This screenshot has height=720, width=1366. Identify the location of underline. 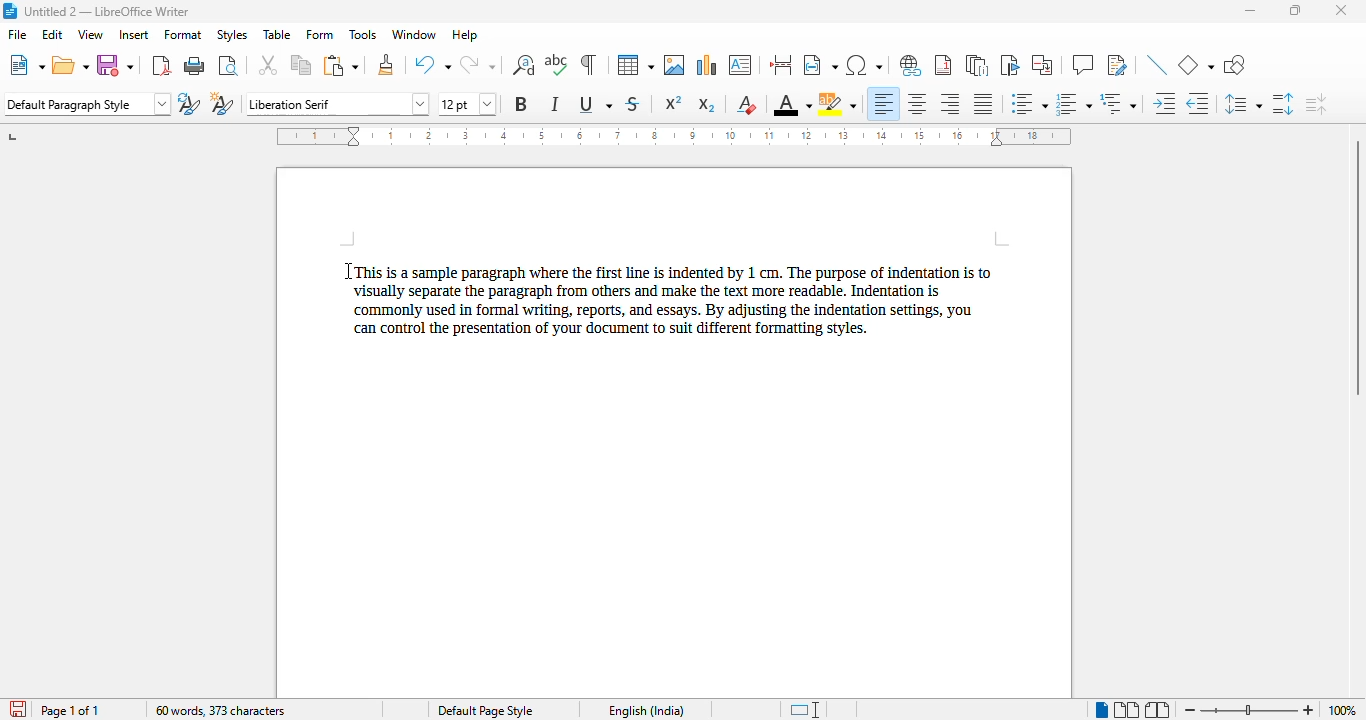
(595, 103).